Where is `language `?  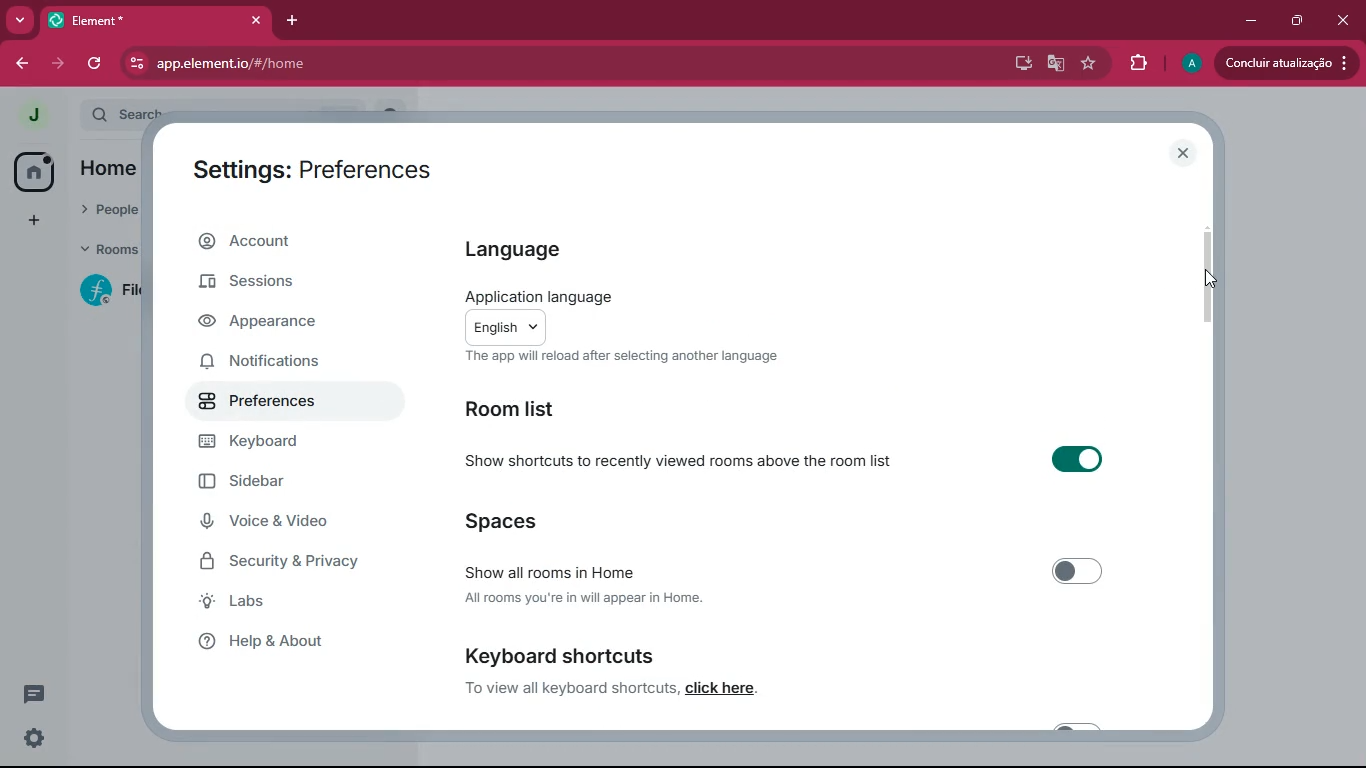
language  is located at coordinates (533, 254).